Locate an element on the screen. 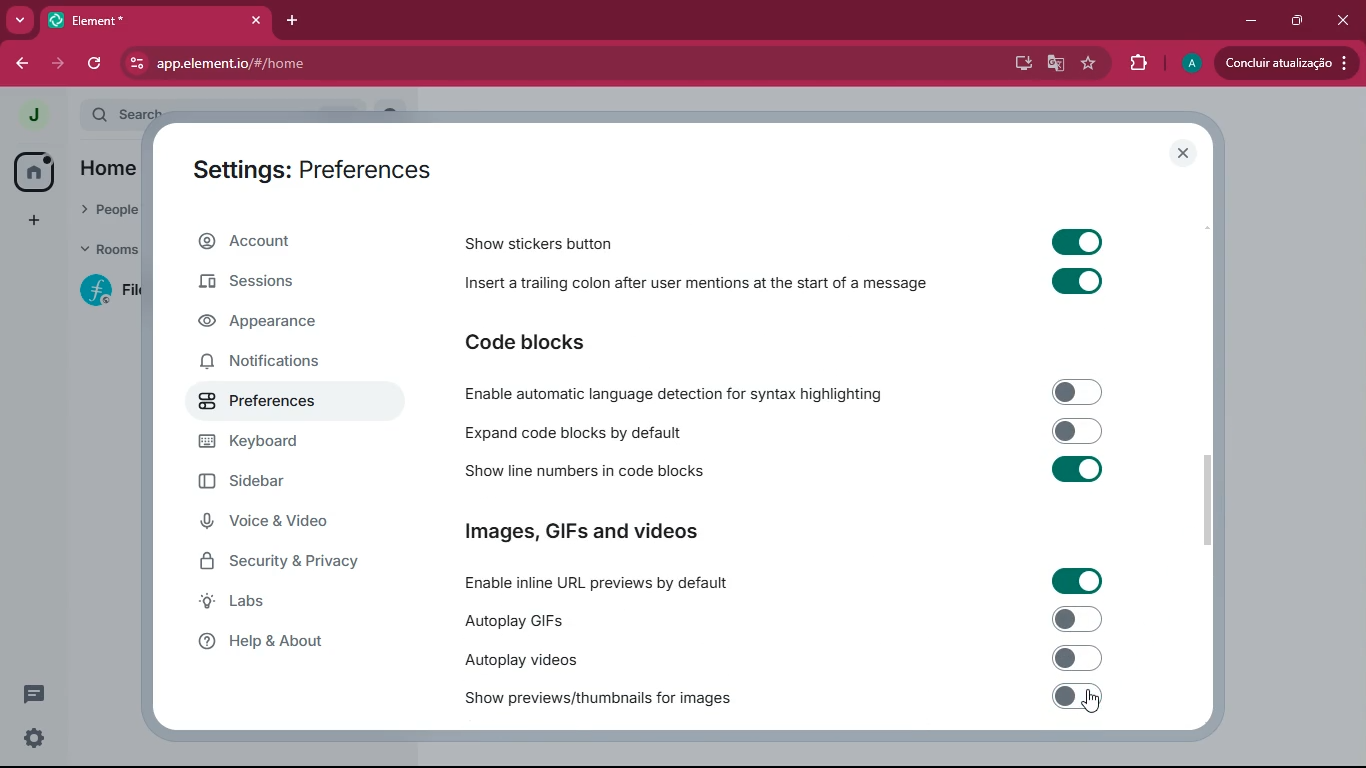  Toggle off is located at coordinates (1082, 619).